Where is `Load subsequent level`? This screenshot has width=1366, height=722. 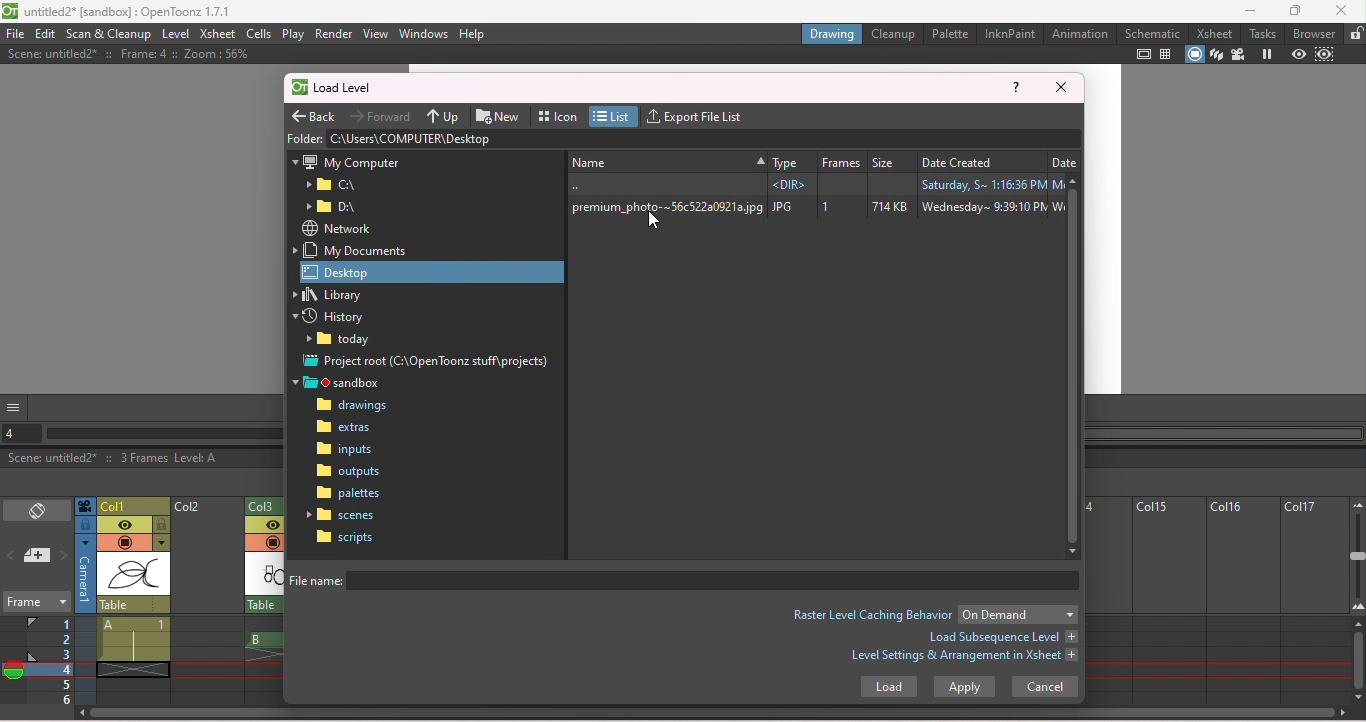 Load subsequent level is located at coordinates (1001, 637).